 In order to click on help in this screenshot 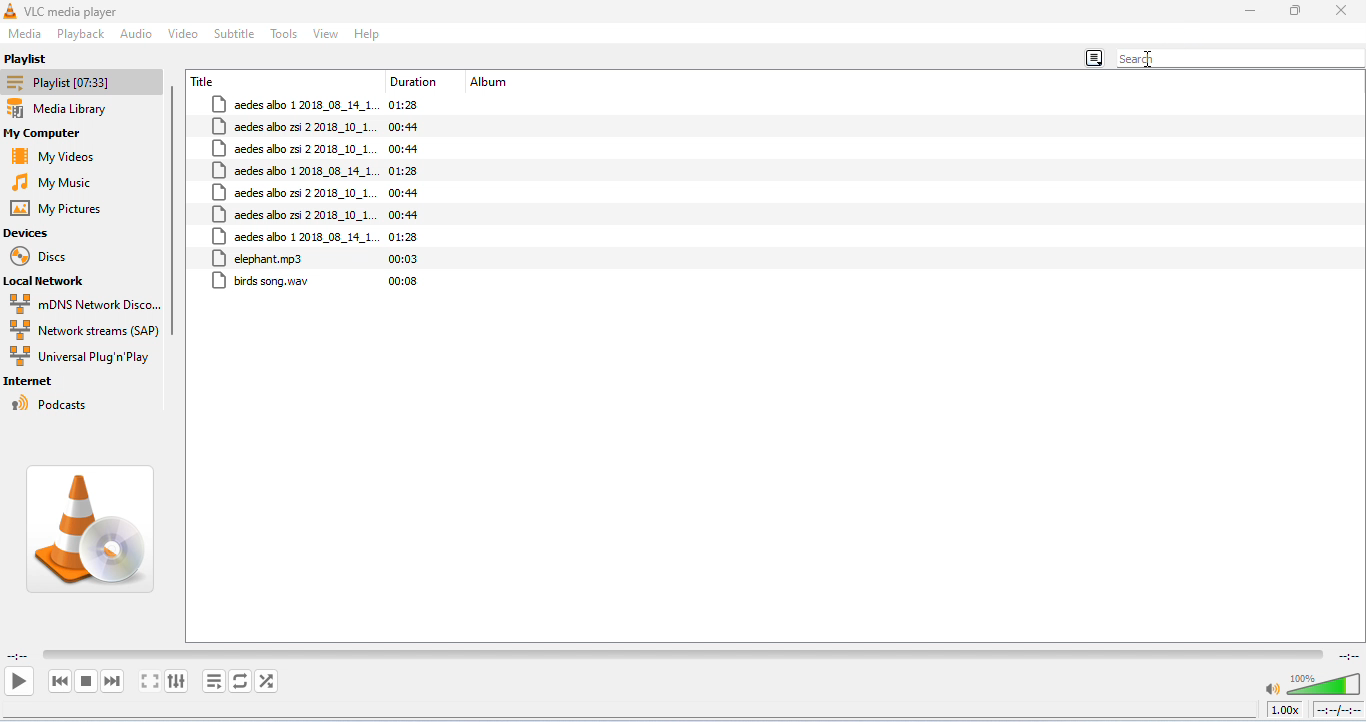, I will do `click(368, 34)`.